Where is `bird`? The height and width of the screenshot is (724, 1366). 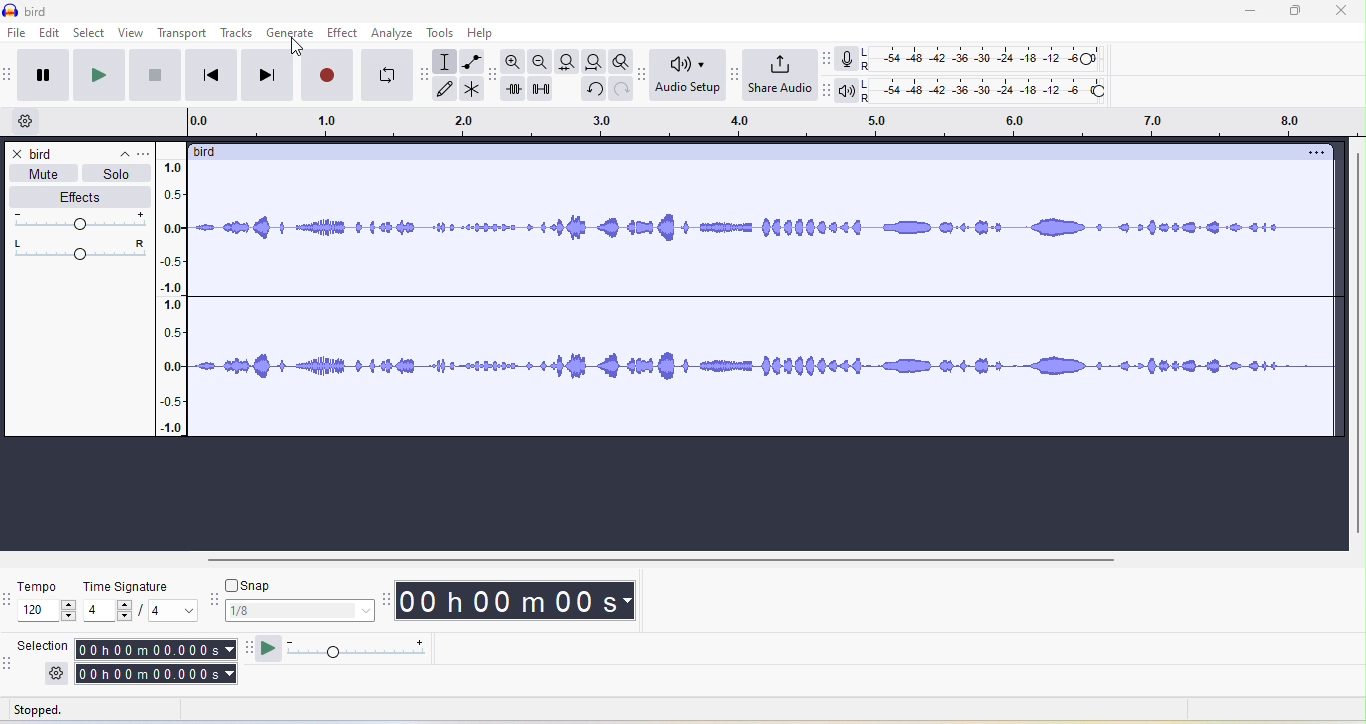 bird is located at coordinates (205, 151).